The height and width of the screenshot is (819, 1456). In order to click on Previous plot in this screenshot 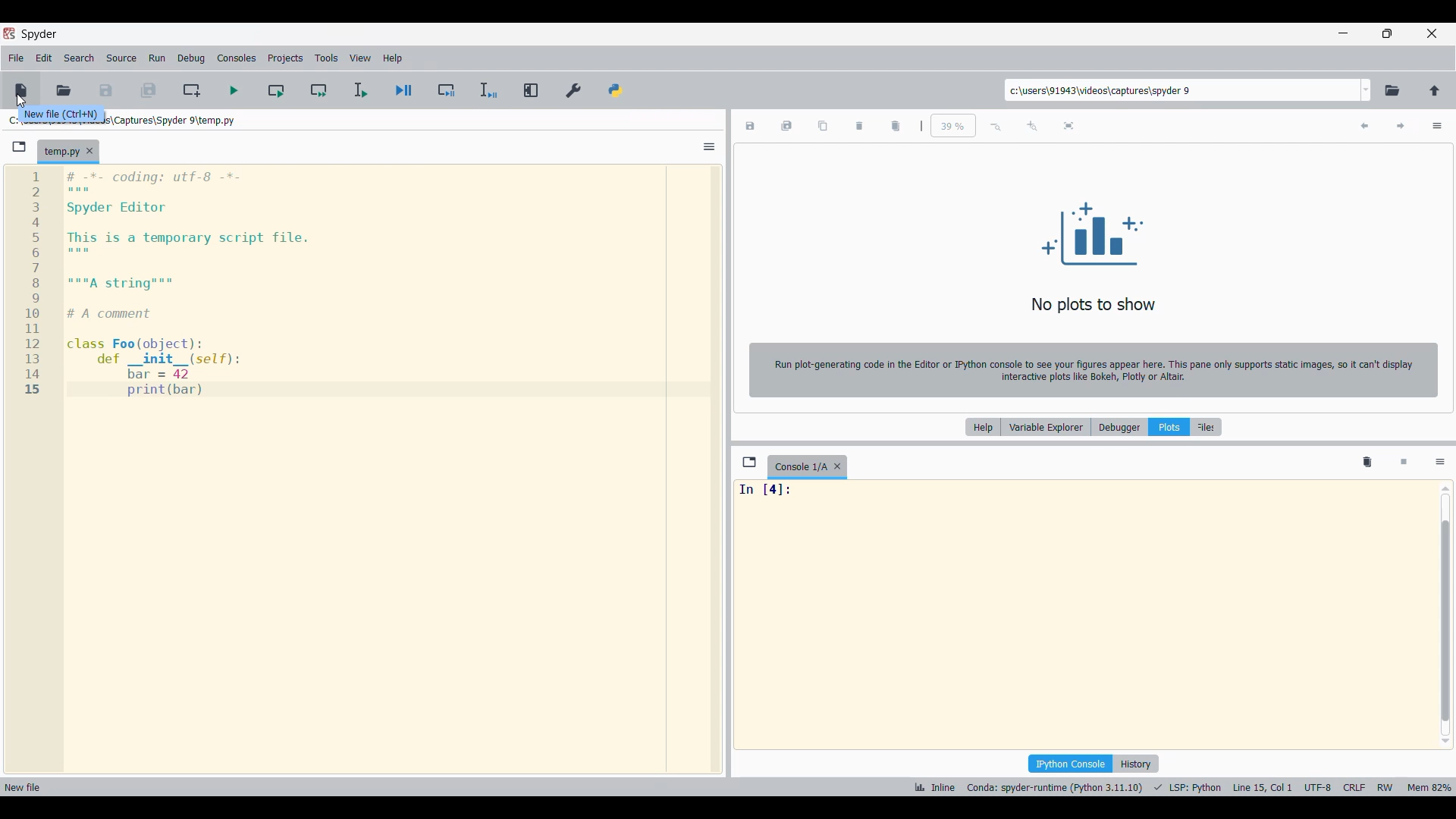, I will do `click(1366, 126)`.